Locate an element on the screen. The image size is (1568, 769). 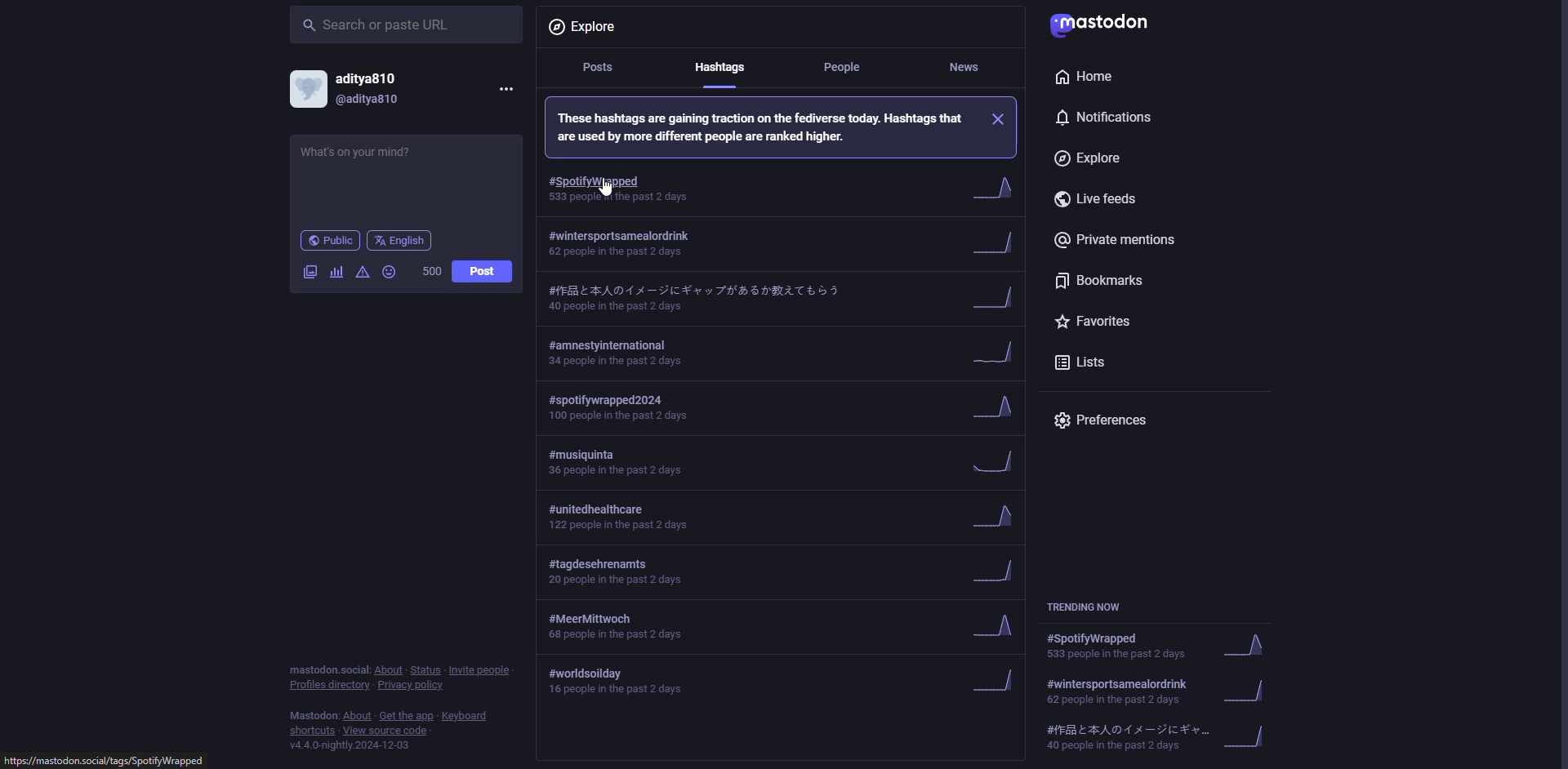
hashtag is located at coordinates (638, 408).